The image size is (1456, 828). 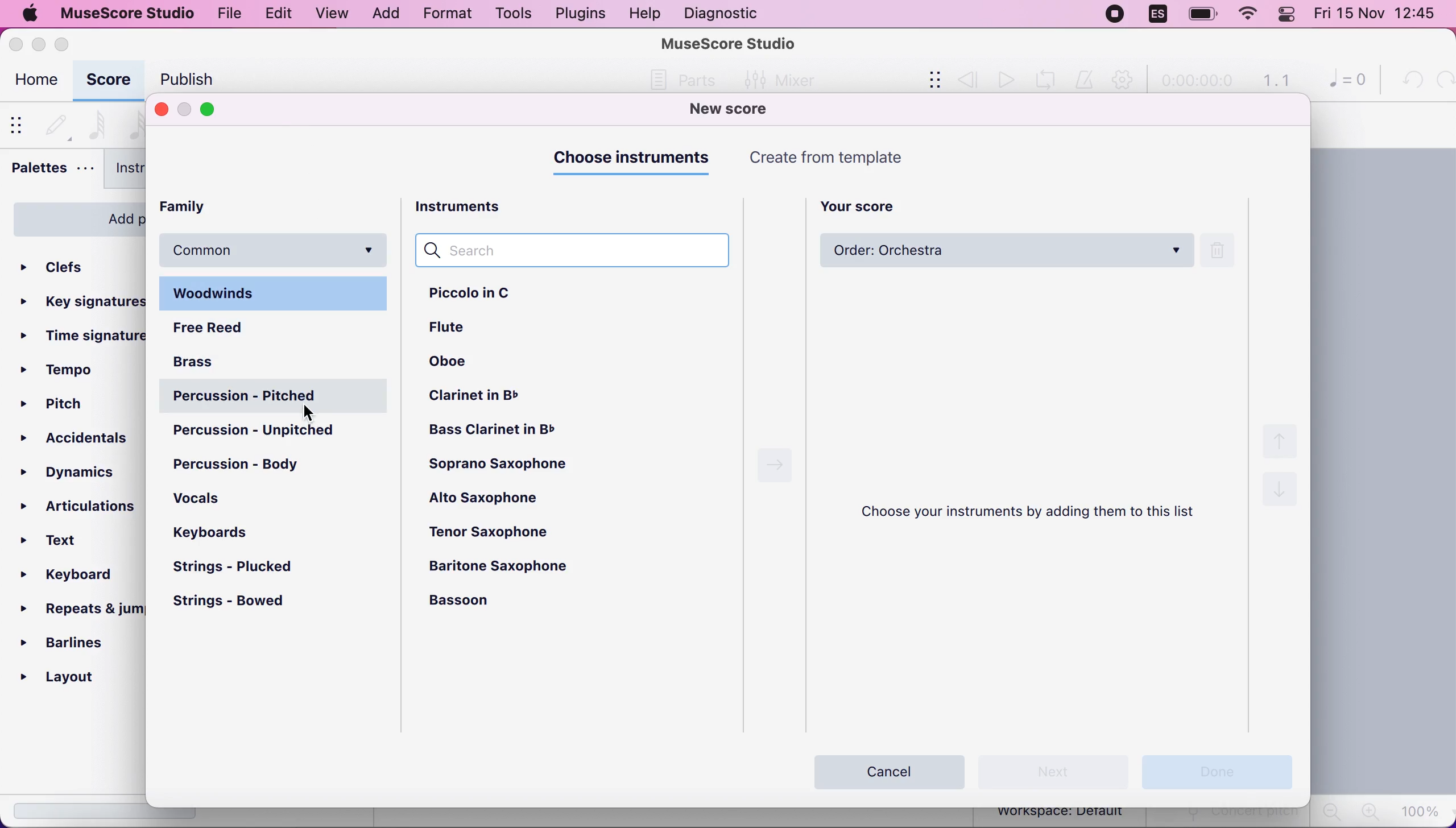 I want to click on 0, so click(x=1342, y=82).